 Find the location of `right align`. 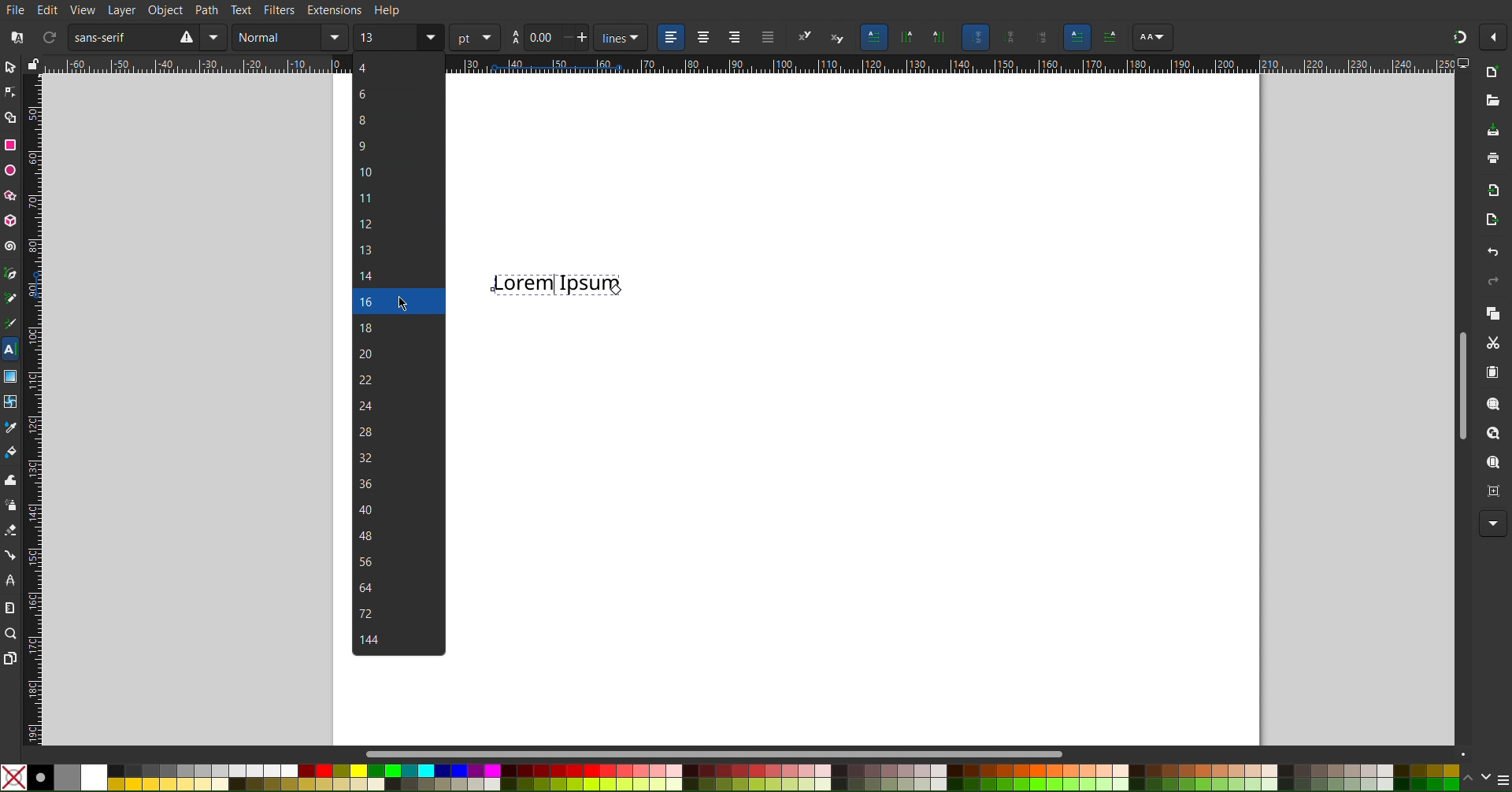

right align is located at coordinates (734, 39).